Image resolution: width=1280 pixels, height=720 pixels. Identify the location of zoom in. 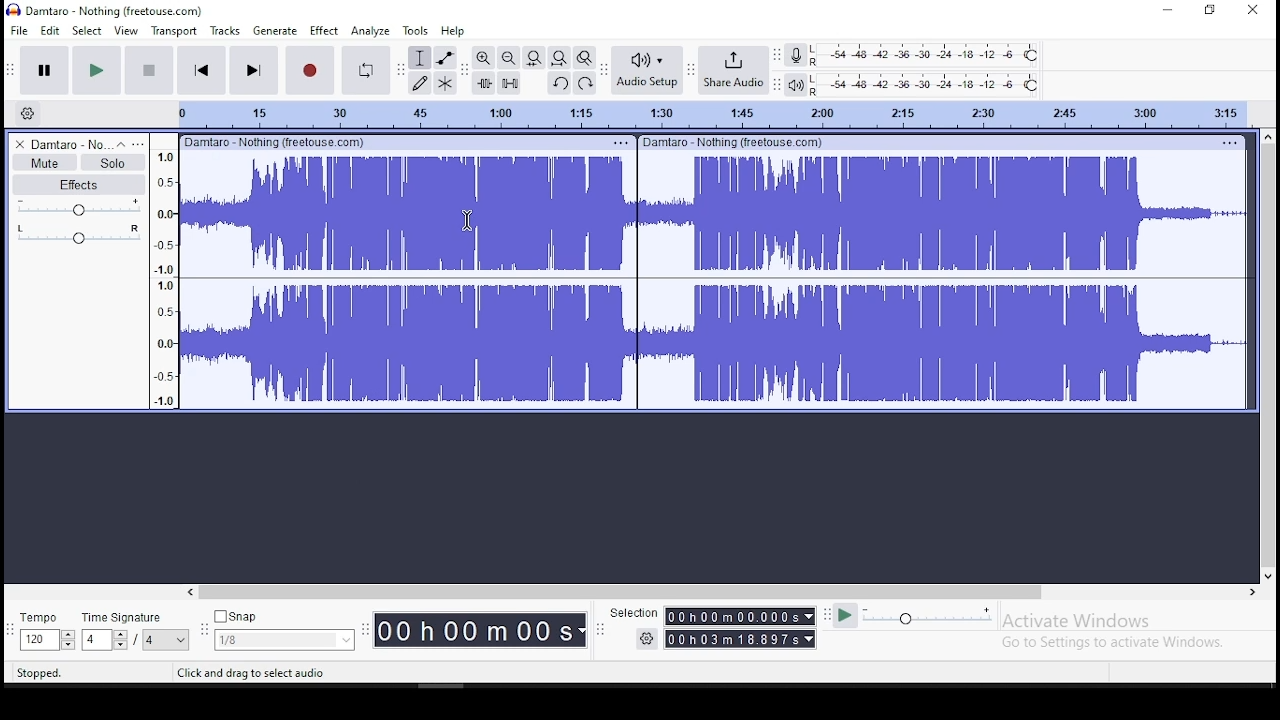
(483, 56).